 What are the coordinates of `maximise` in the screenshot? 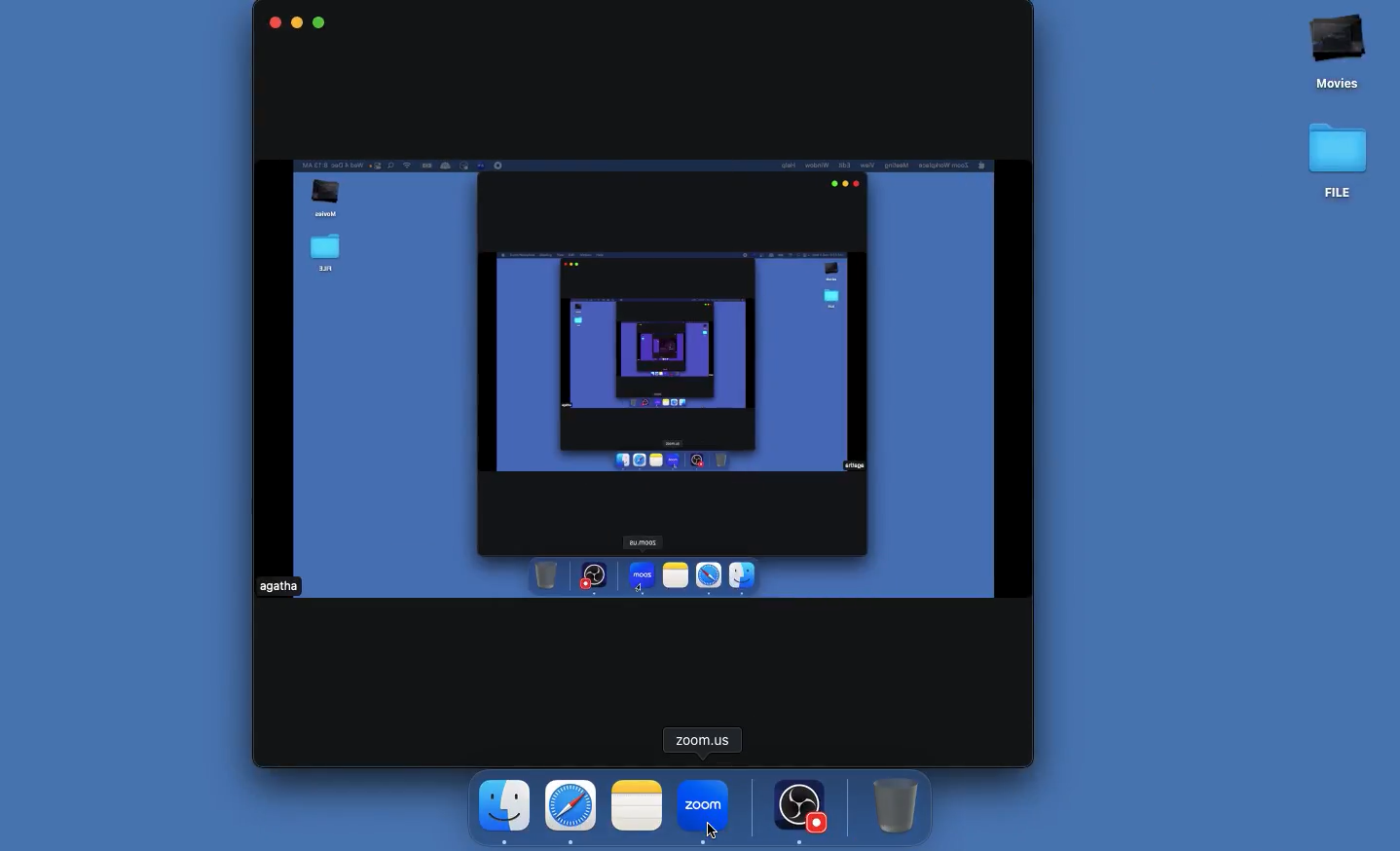 It's located at (322, 19).